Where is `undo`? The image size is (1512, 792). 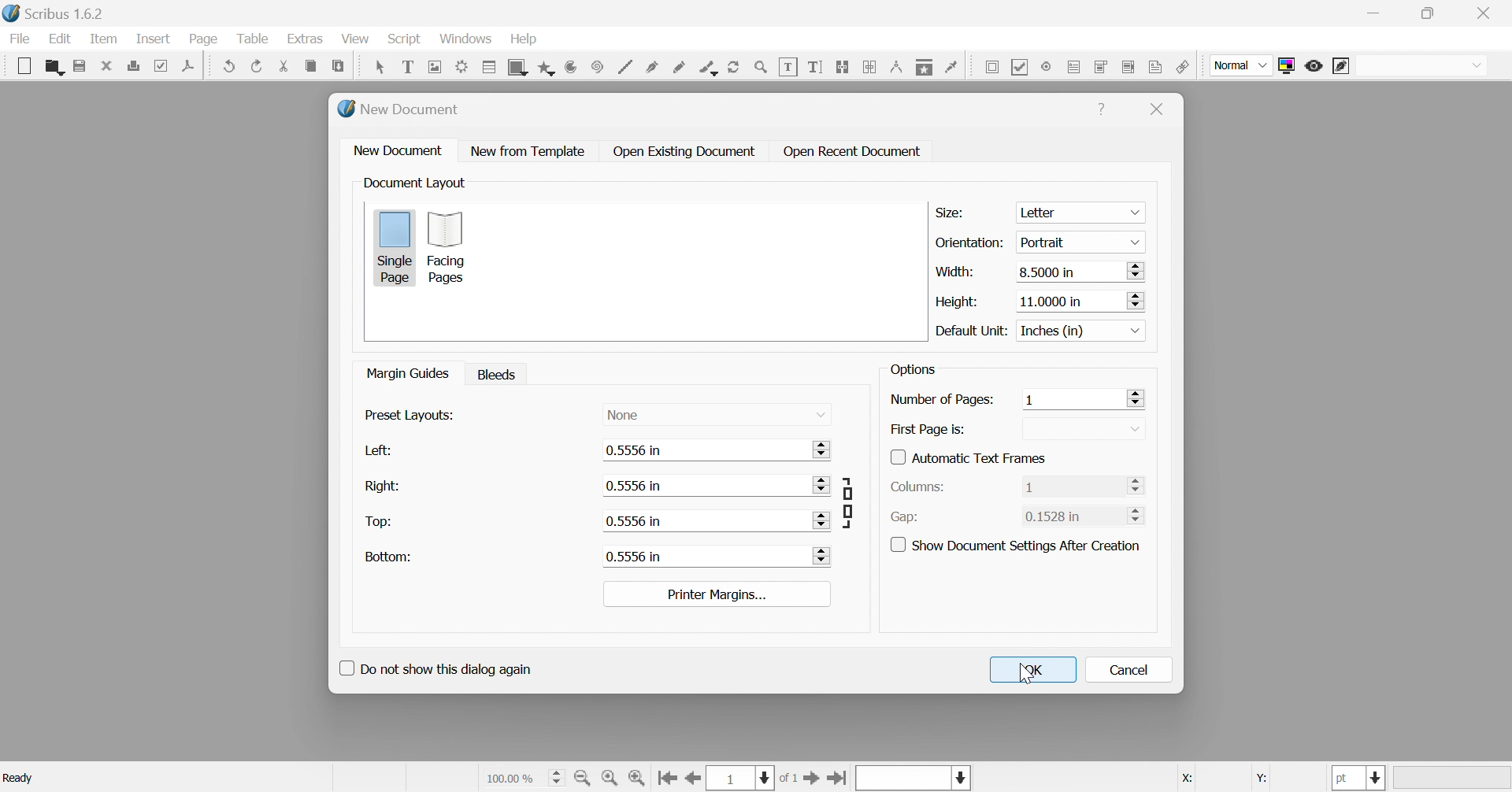
undo is located at coordinates (229, 65).